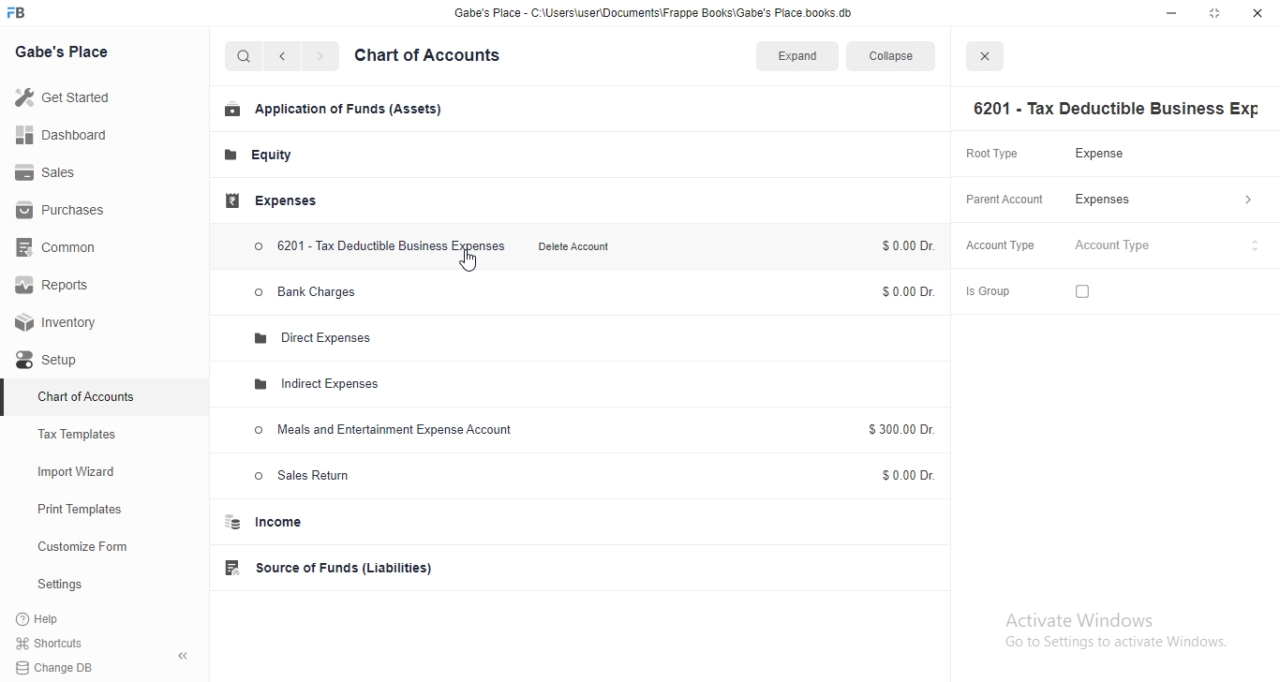 Image resolution: width=1280 pixels, height=682 pixels. I want to click on  Meals and Entertainment Expense Account, so click(390, 431).